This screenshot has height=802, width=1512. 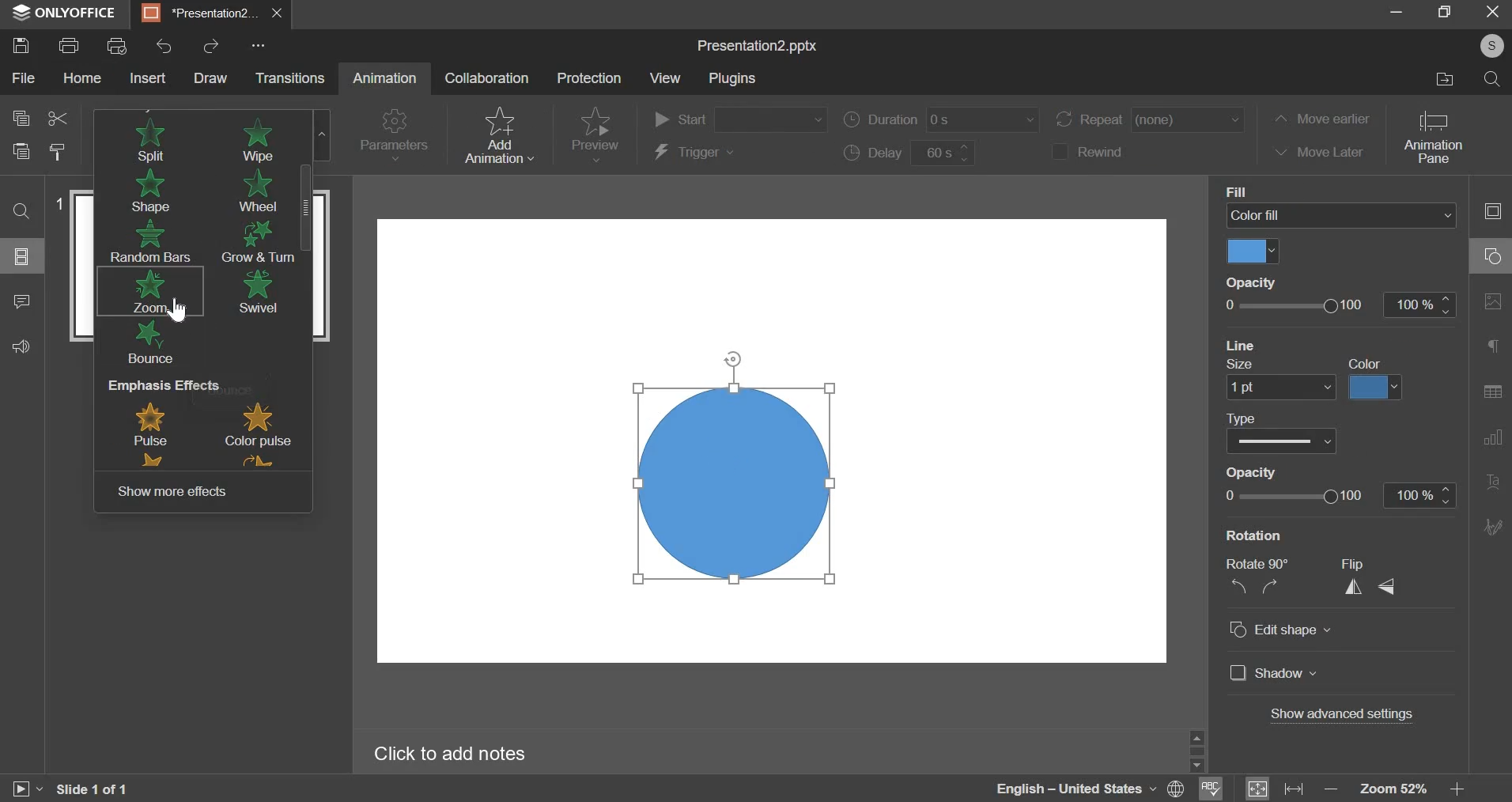 What do you see at coordinates (58, 152) in the screenshot?
I see `copy slide` at bounding box center [58, 152].